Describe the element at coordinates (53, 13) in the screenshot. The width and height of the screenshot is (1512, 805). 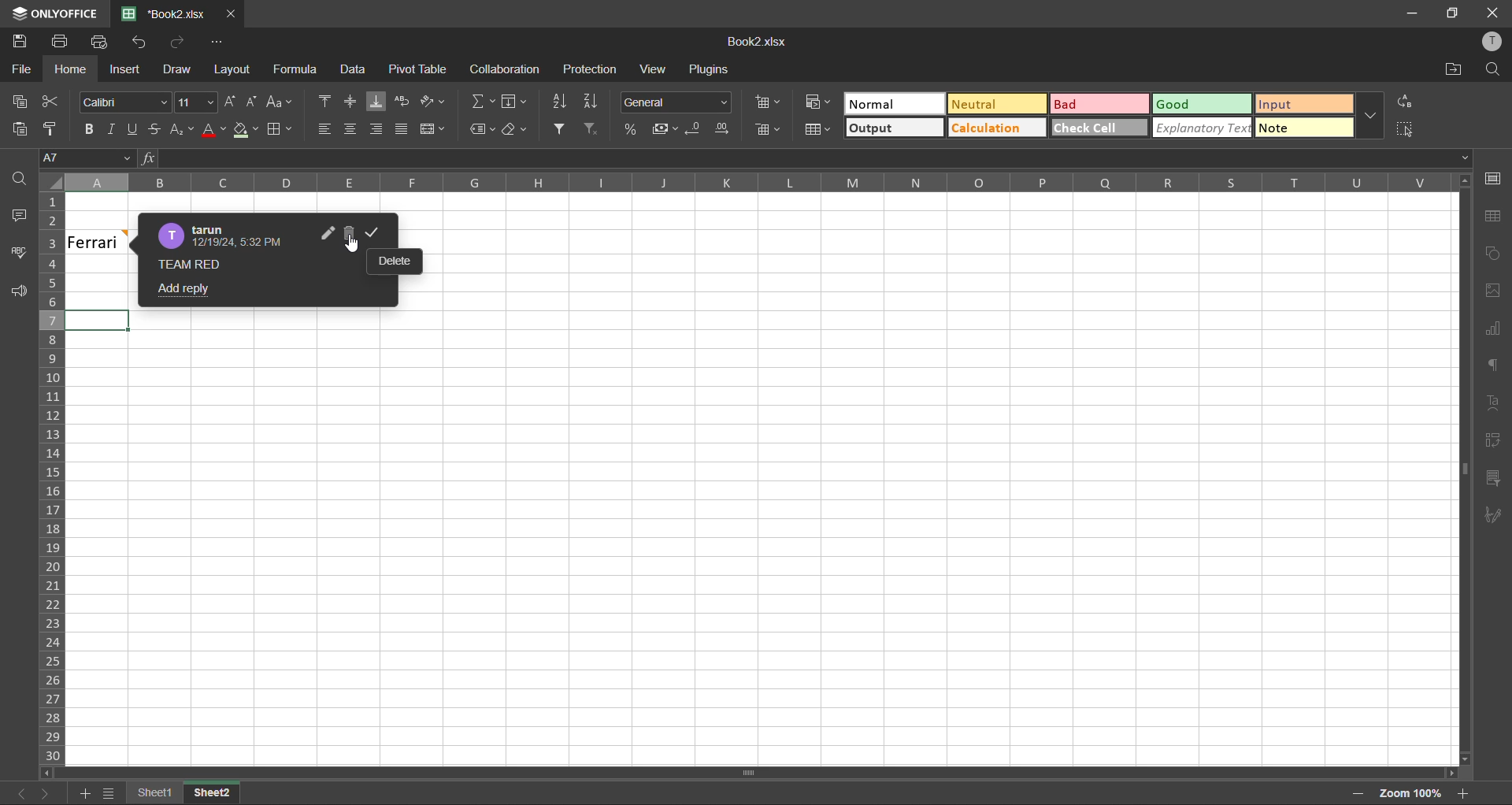
I see `OnlyOffice` at that location.